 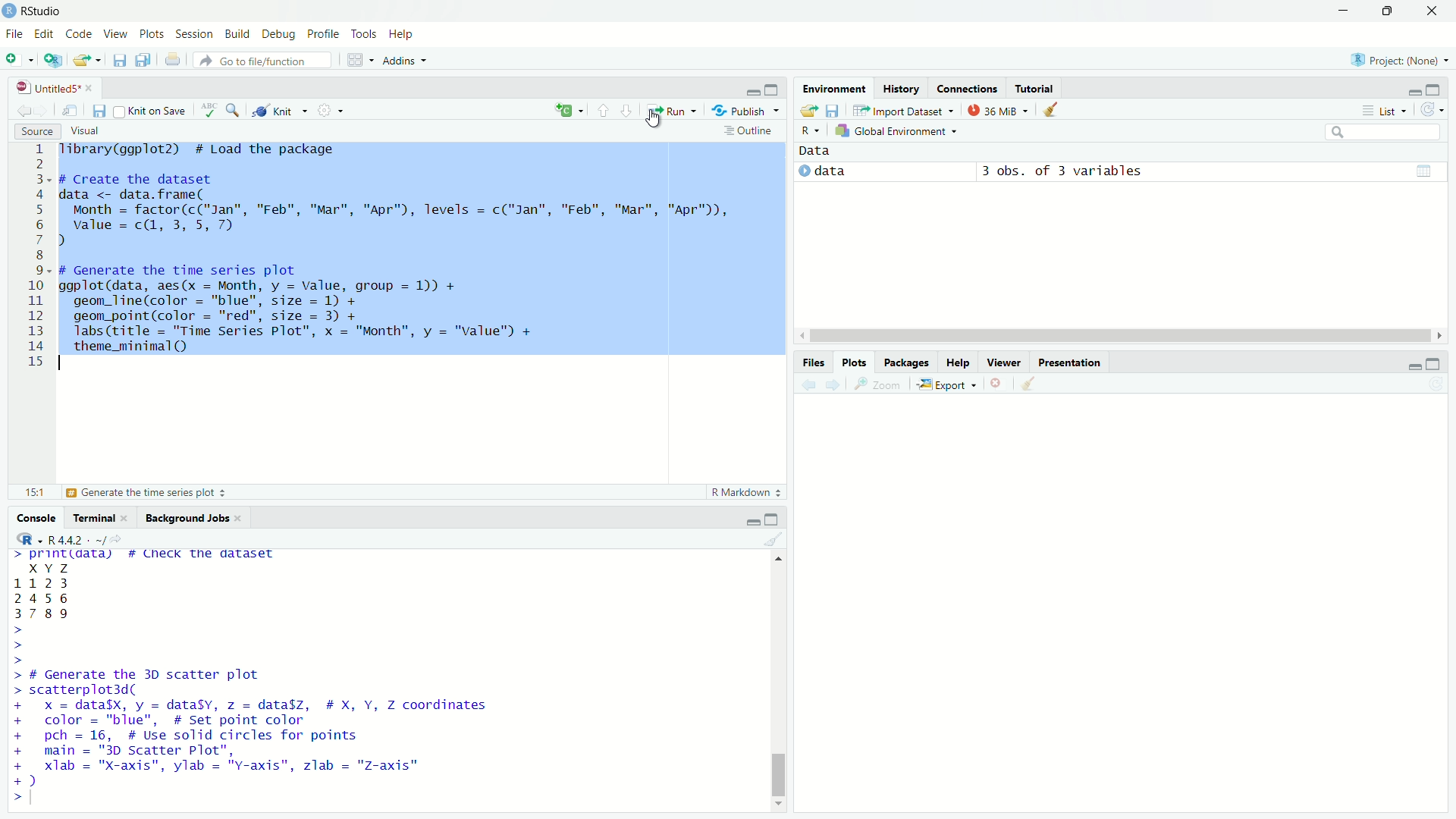 What do you see at coordinates (673, 110) in the screenshot?
I see `run the current line or selection` at bounding box center [673, 110].